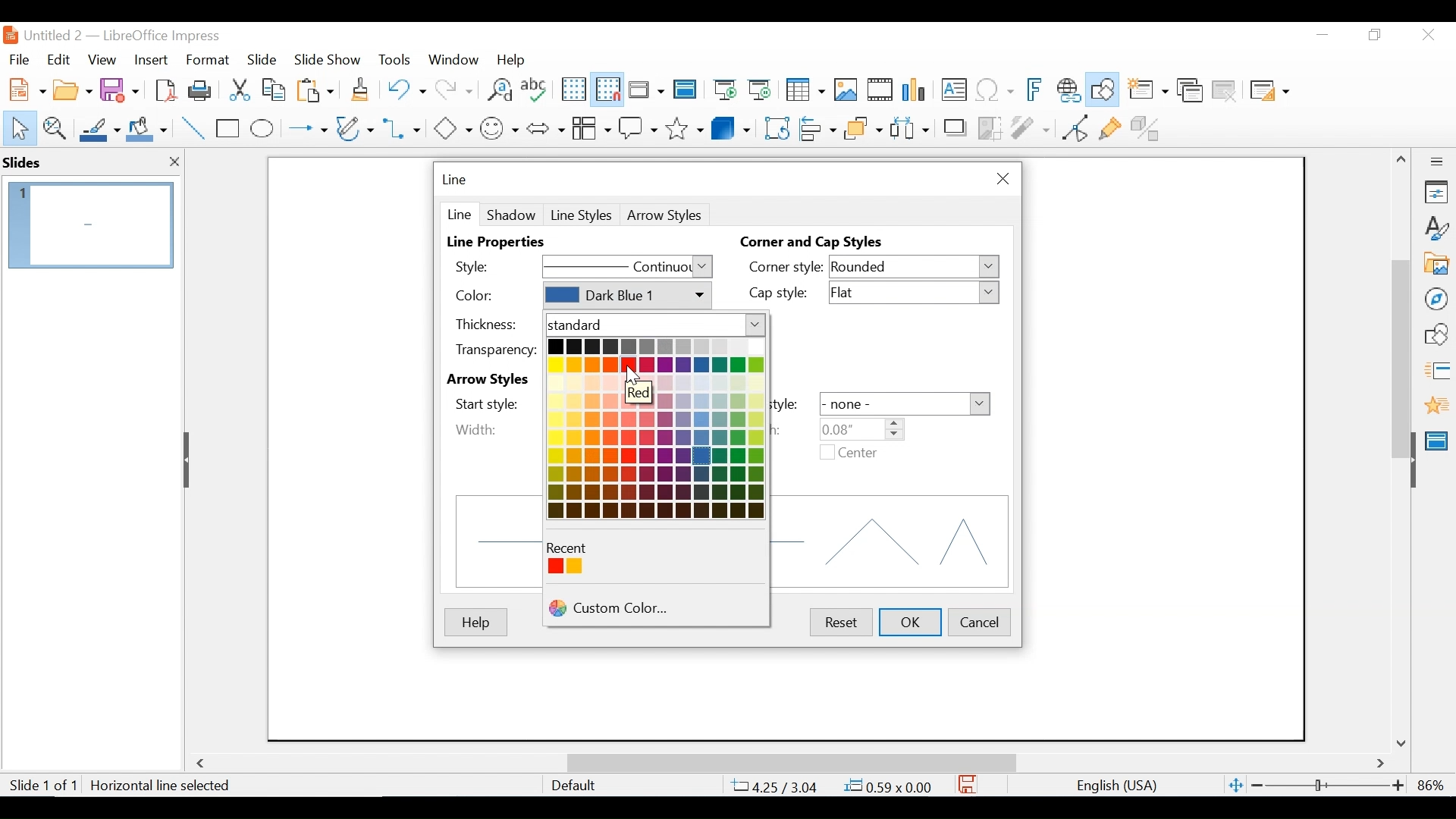 The image size is (1456, 819). What do you see at coordinates (1437, 405) in the screenshot?
I see `Animation` at bounding box center [1437, 405].